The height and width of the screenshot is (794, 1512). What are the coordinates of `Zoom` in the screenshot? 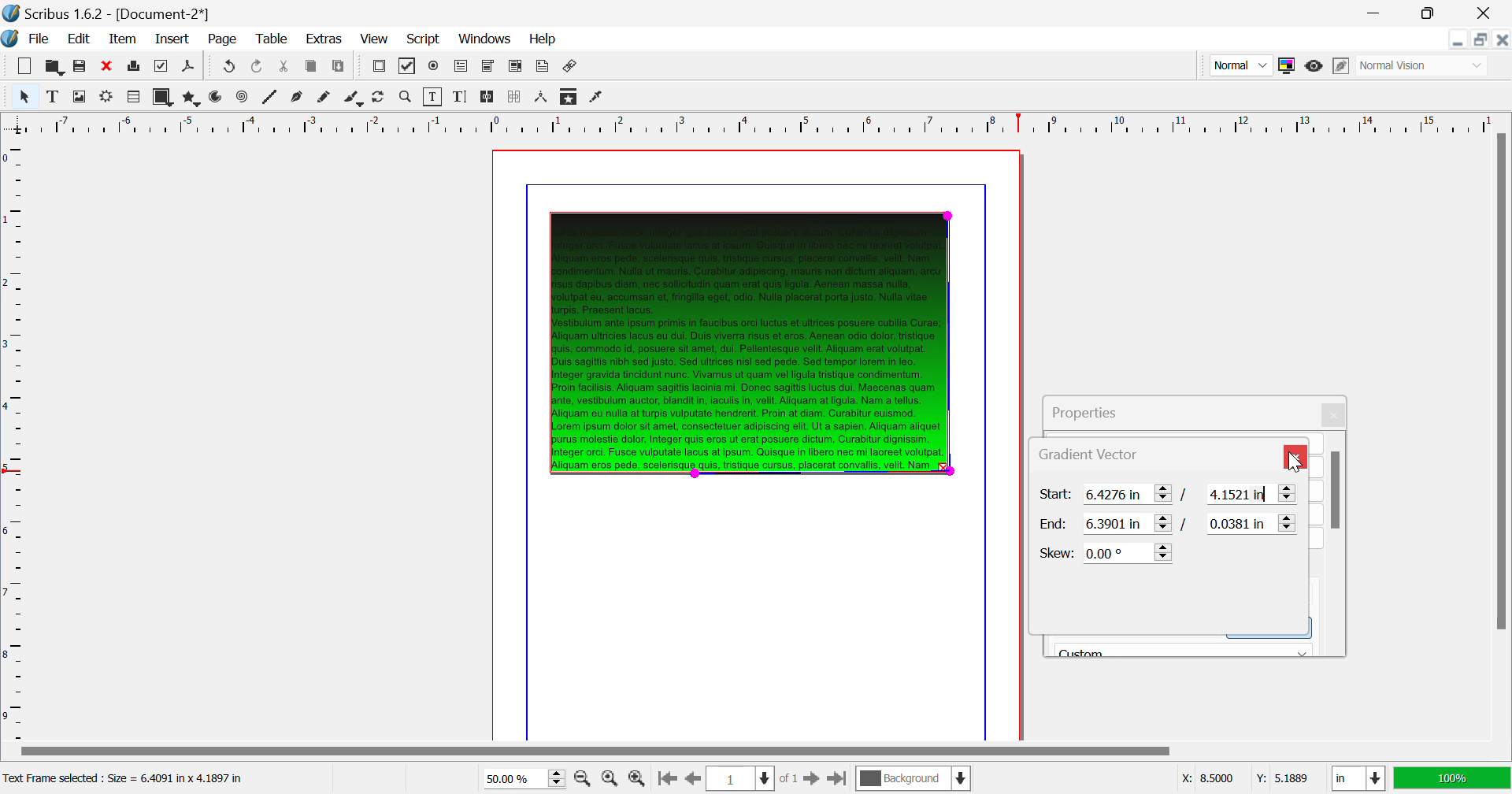 It's located at (406, 97).